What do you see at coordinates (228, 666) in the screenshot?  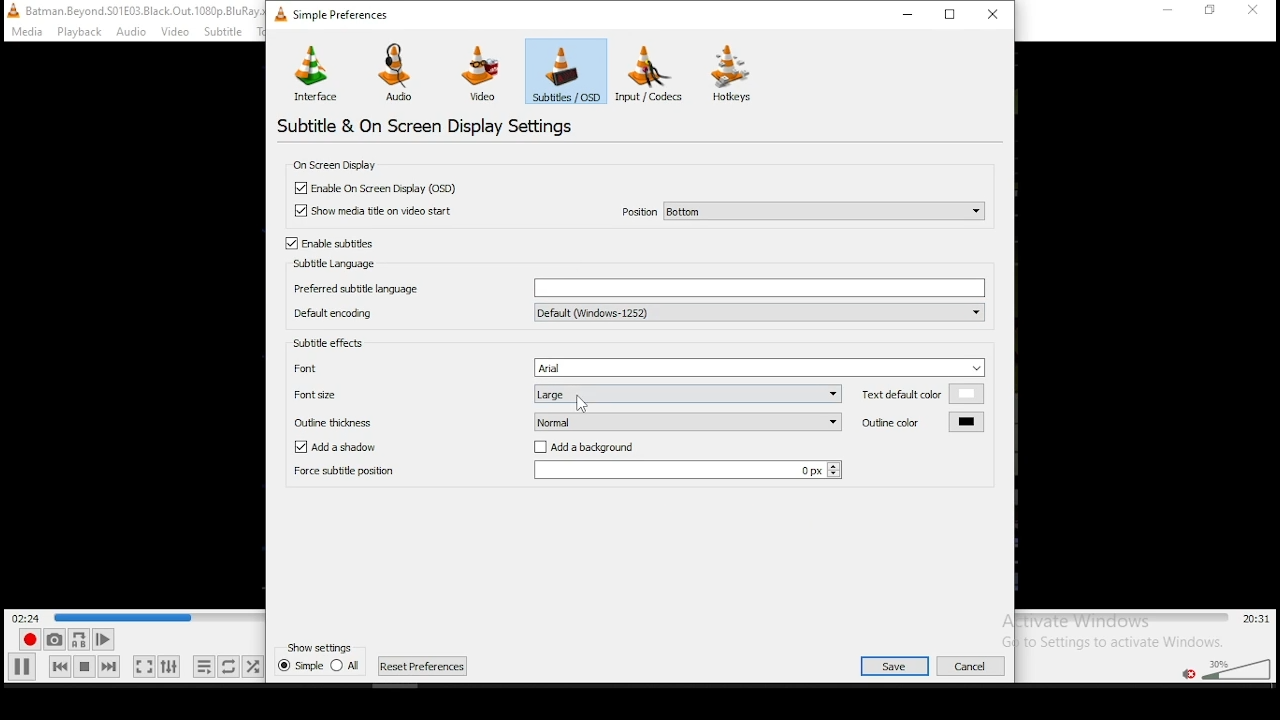 I see `toggle between loop all, loop one, and no loop` at bounding box center [228, 666].